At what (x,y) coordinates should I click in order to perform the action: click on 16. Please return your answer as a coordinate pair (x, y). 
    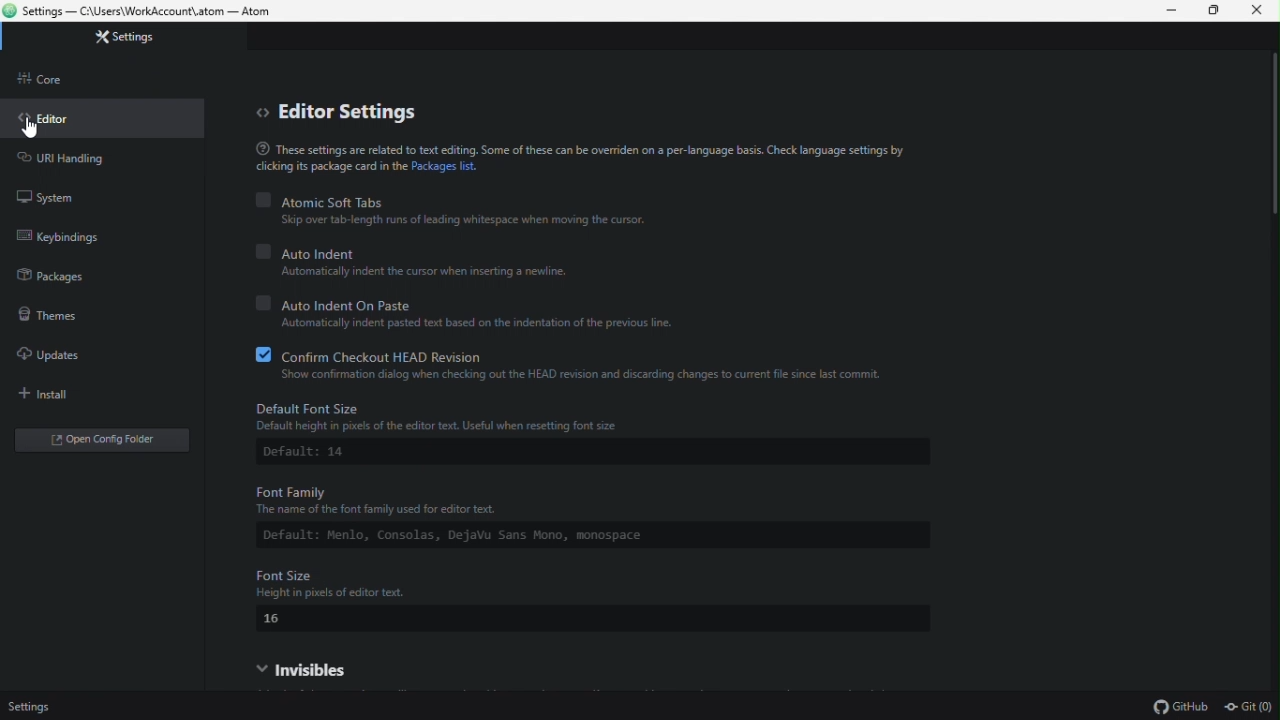
    Looking at the image, I should click on (279, 619).